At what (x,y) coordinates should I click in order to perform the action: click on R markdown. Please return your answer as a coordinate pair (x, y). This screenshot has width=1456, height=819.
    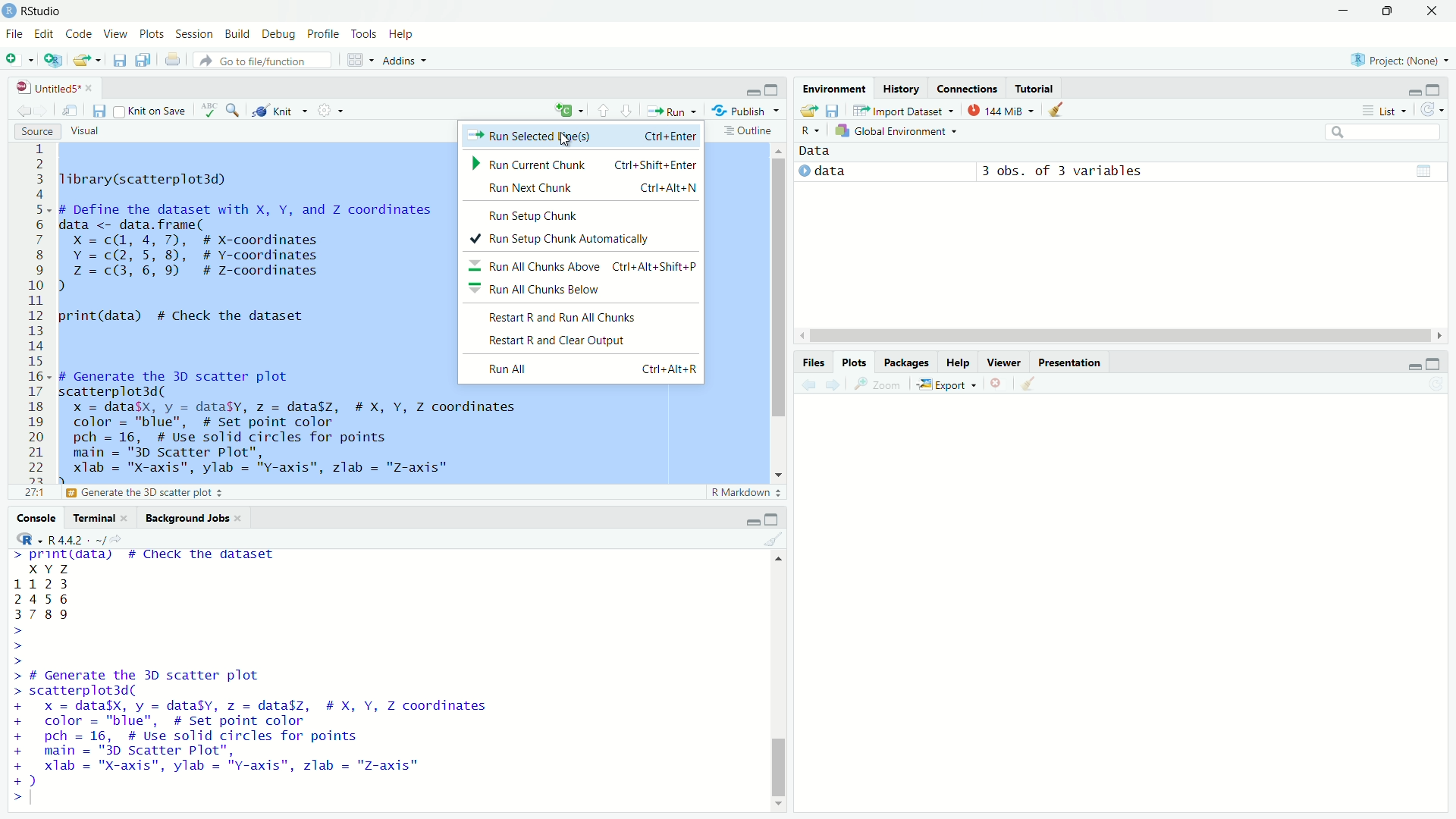
    Looking at the image, I should click on (746, 493).